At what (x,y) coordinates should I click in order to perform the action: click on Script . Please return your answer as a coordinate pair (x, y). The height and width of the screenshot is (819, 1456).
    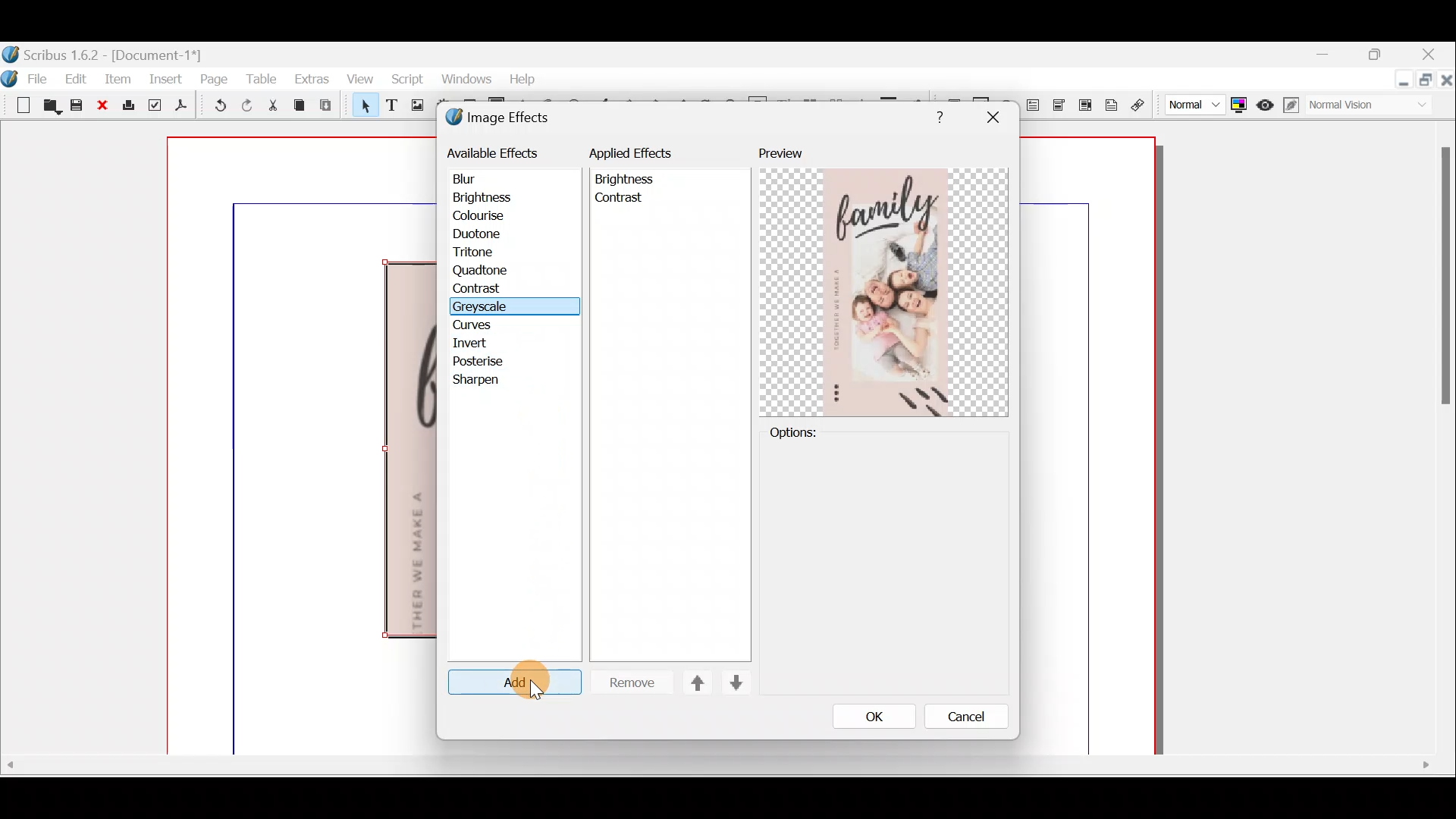
    Looking at the image, I should click on (412, 80).